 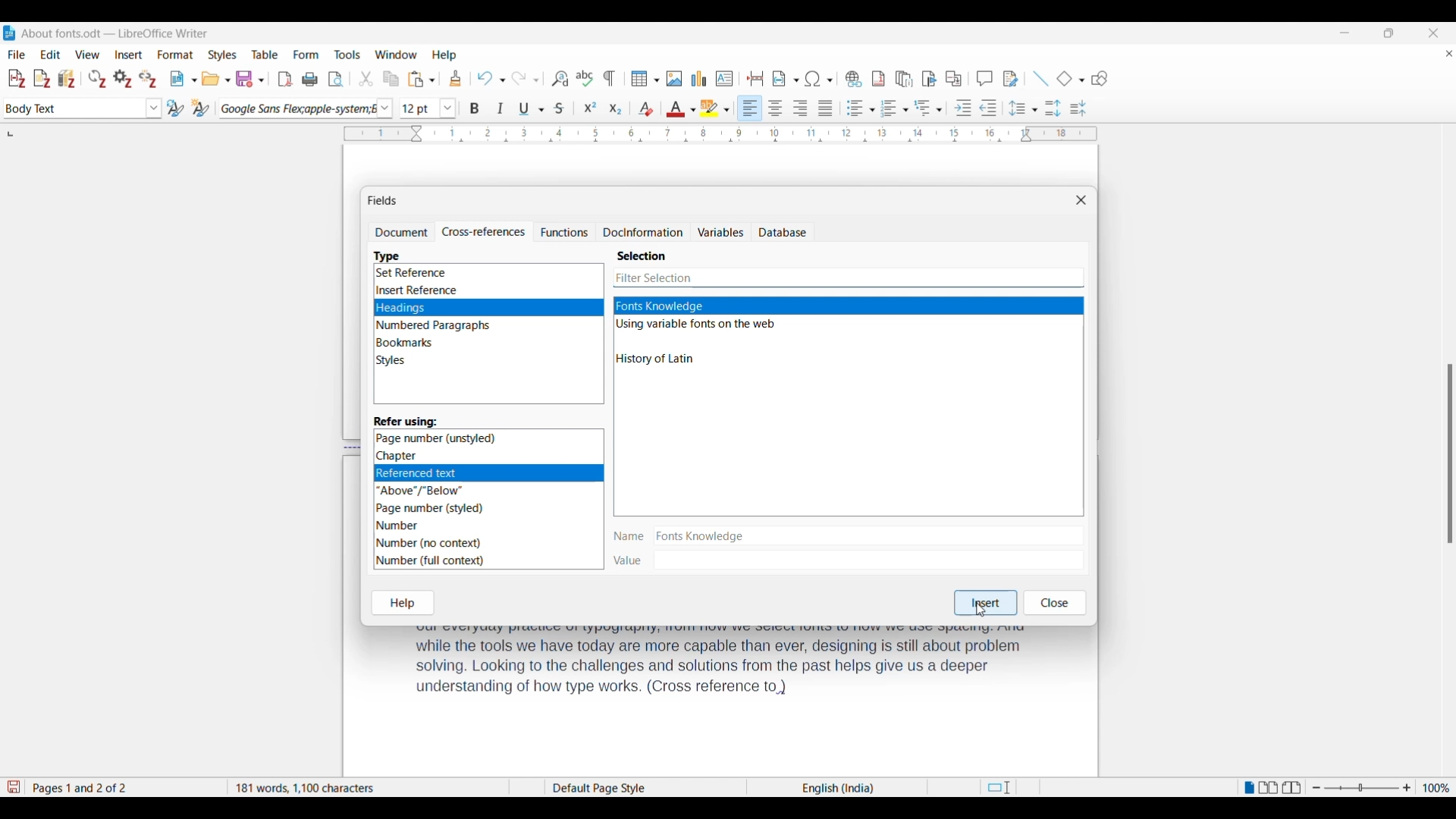 What do you see at coordinates (775, 107) in the screenshot?
I see `Align center` at bounding box center [775, 107].